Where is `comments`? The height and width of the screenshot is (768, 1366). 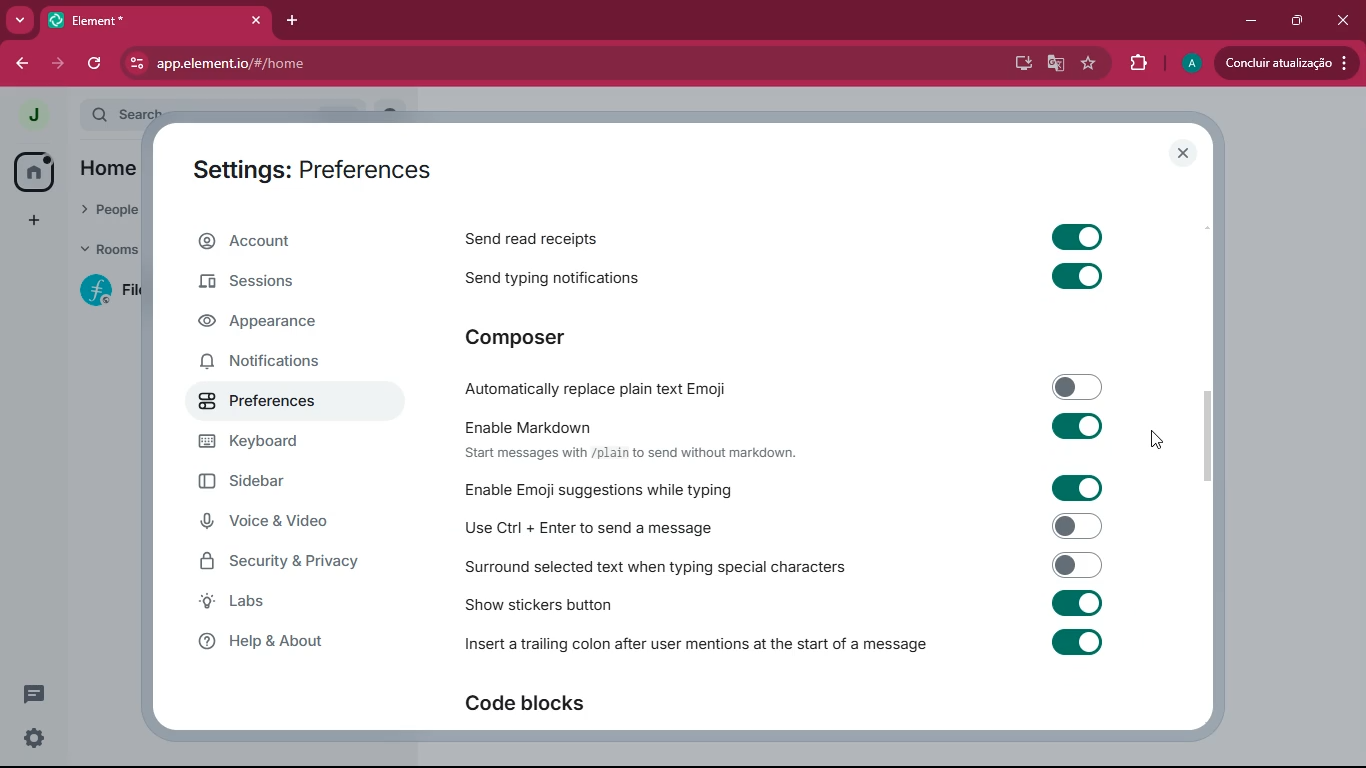 comments is located at coordinates (37, 691).